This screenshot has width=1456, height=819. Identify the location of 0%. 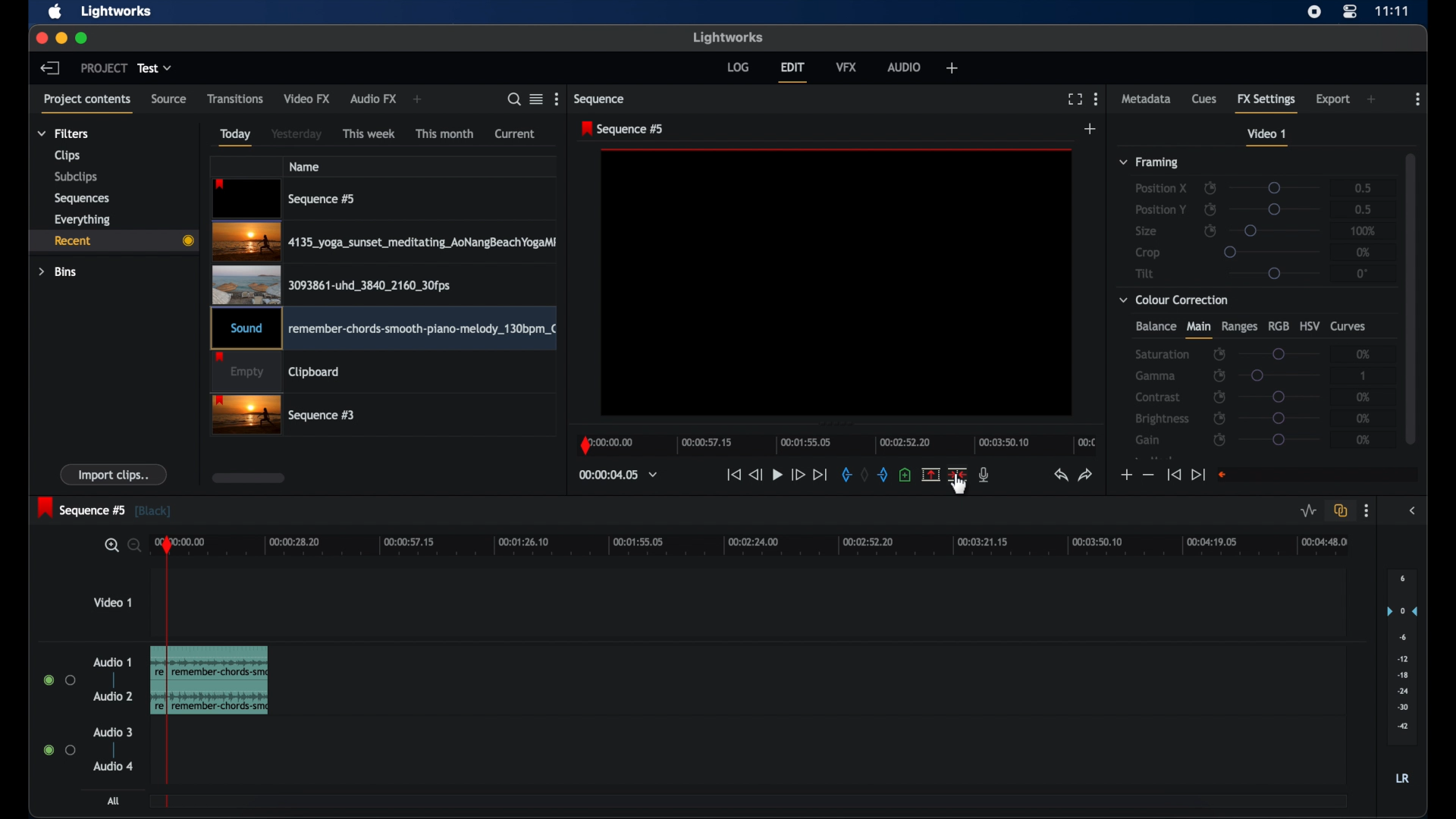
(1364, 440).